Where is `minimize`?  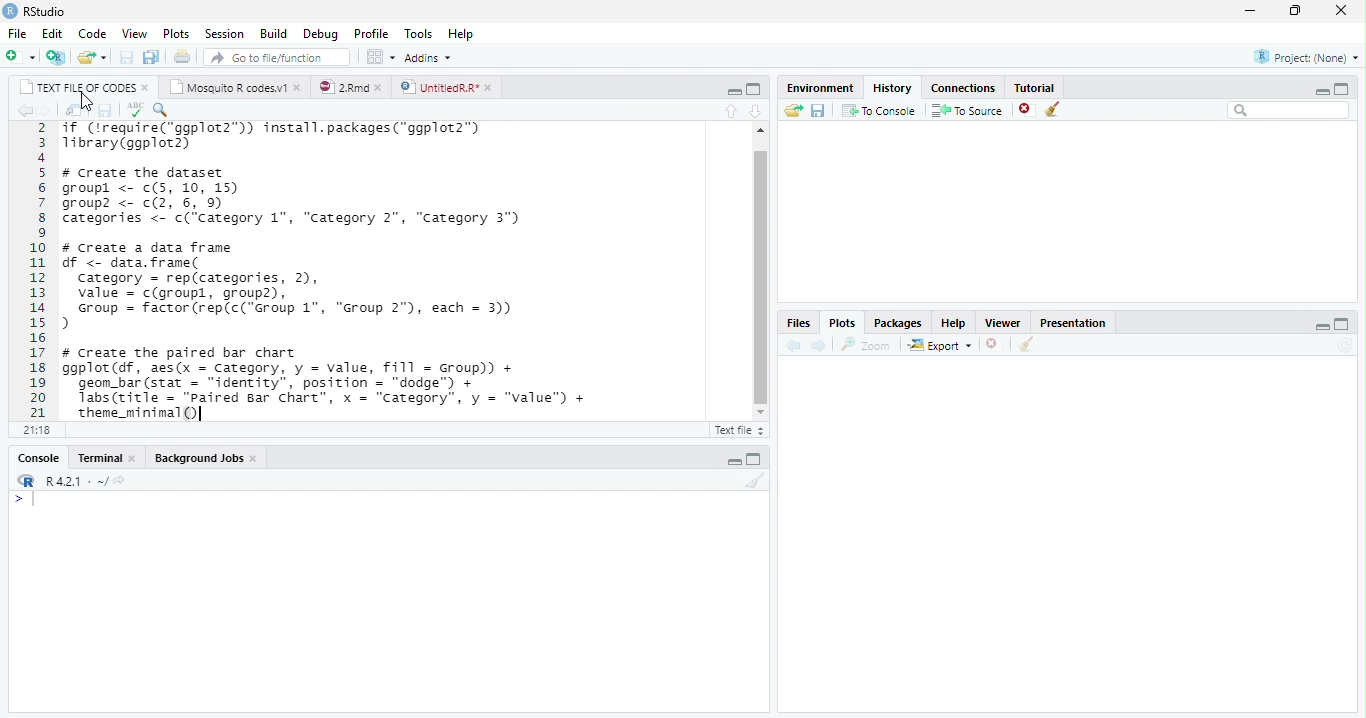 minimize is located at coordinates (1324, 326).